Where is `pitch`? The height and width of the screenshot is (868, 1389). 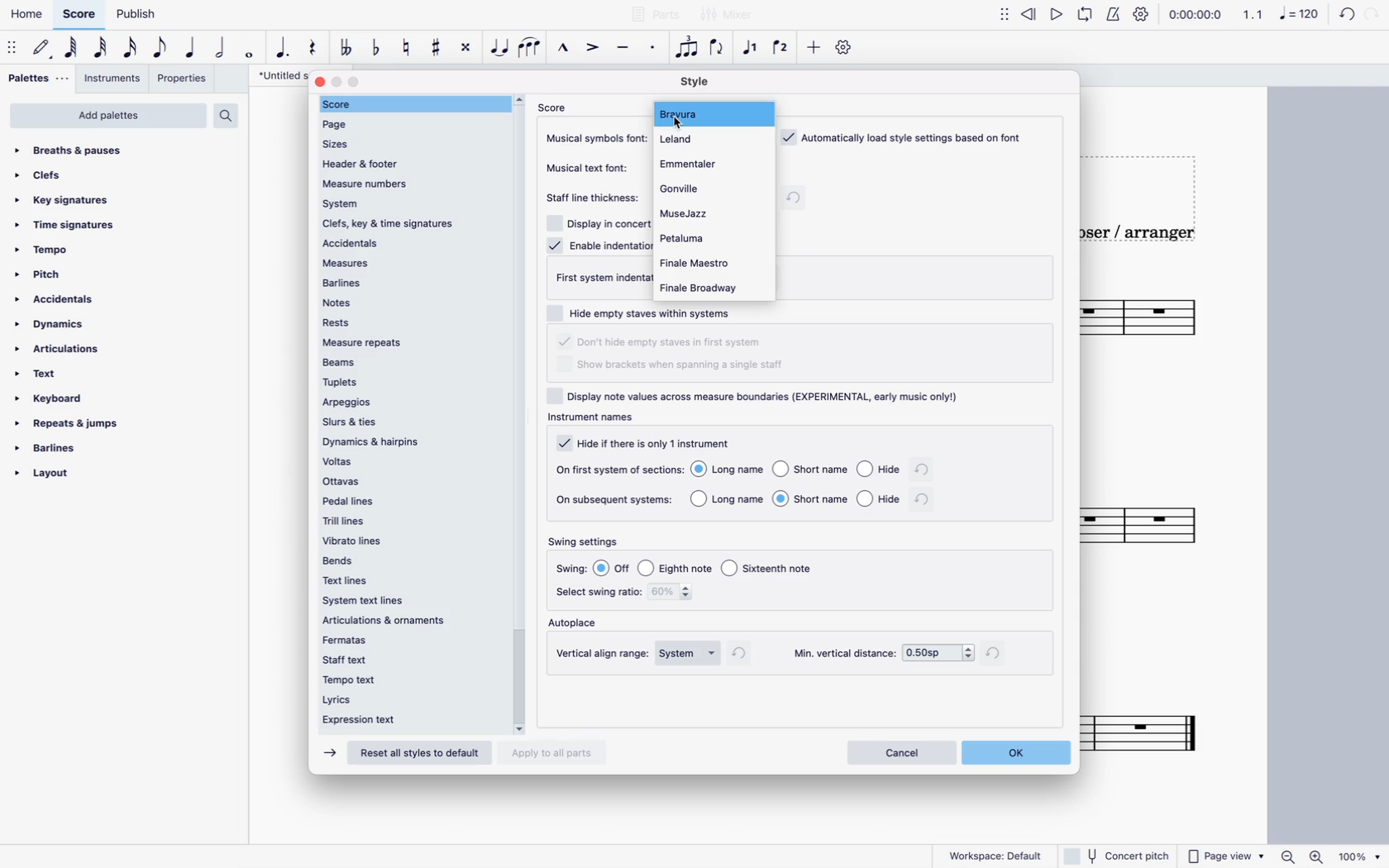
pitch is located at coordinates (59, 276).